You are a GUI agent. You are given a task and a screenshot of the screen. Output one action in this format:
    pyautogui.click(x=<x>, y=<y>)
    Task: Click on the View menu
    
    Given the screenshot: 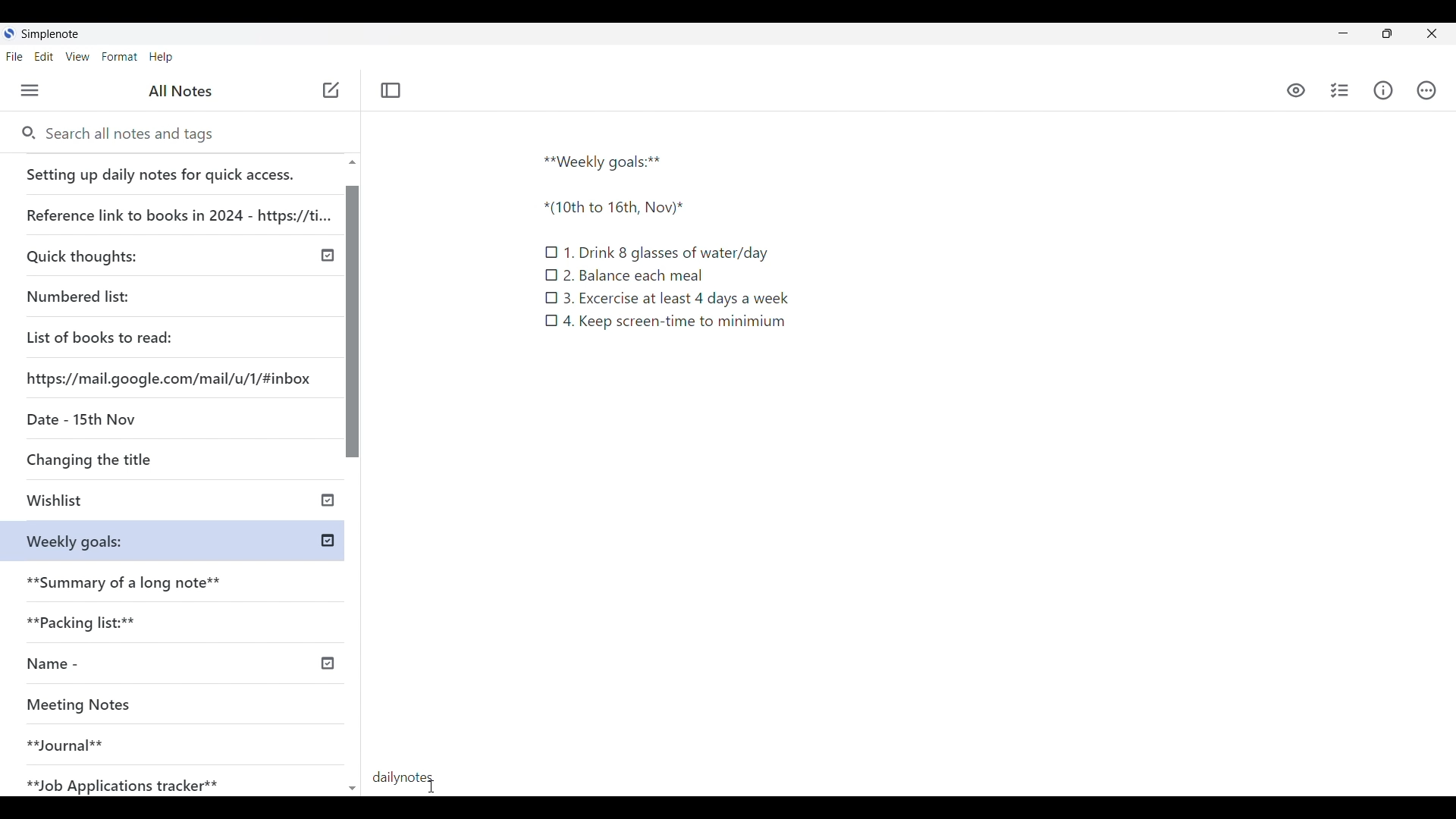 What is the action you would take?
    pyautogui.click(x=77, y=57)
    